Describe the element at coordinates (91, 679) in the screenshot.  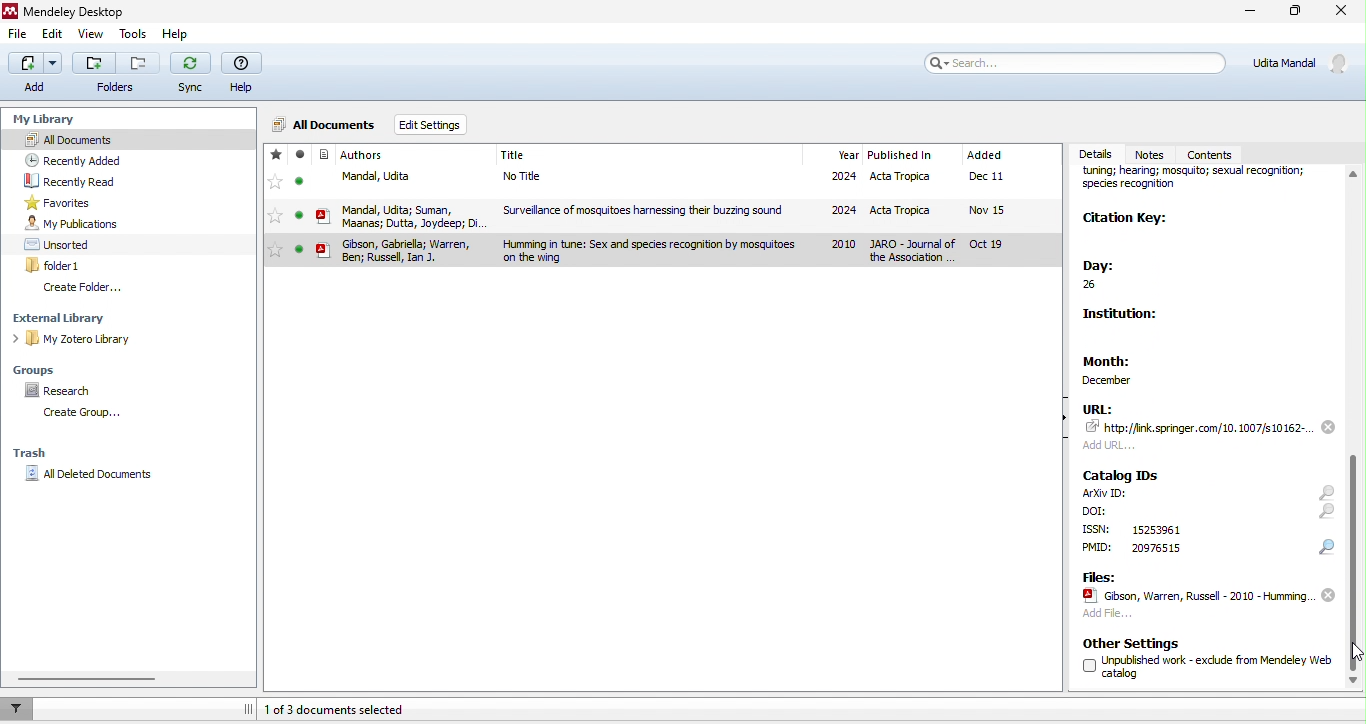
I see `horizontal scroll bar` at that location.